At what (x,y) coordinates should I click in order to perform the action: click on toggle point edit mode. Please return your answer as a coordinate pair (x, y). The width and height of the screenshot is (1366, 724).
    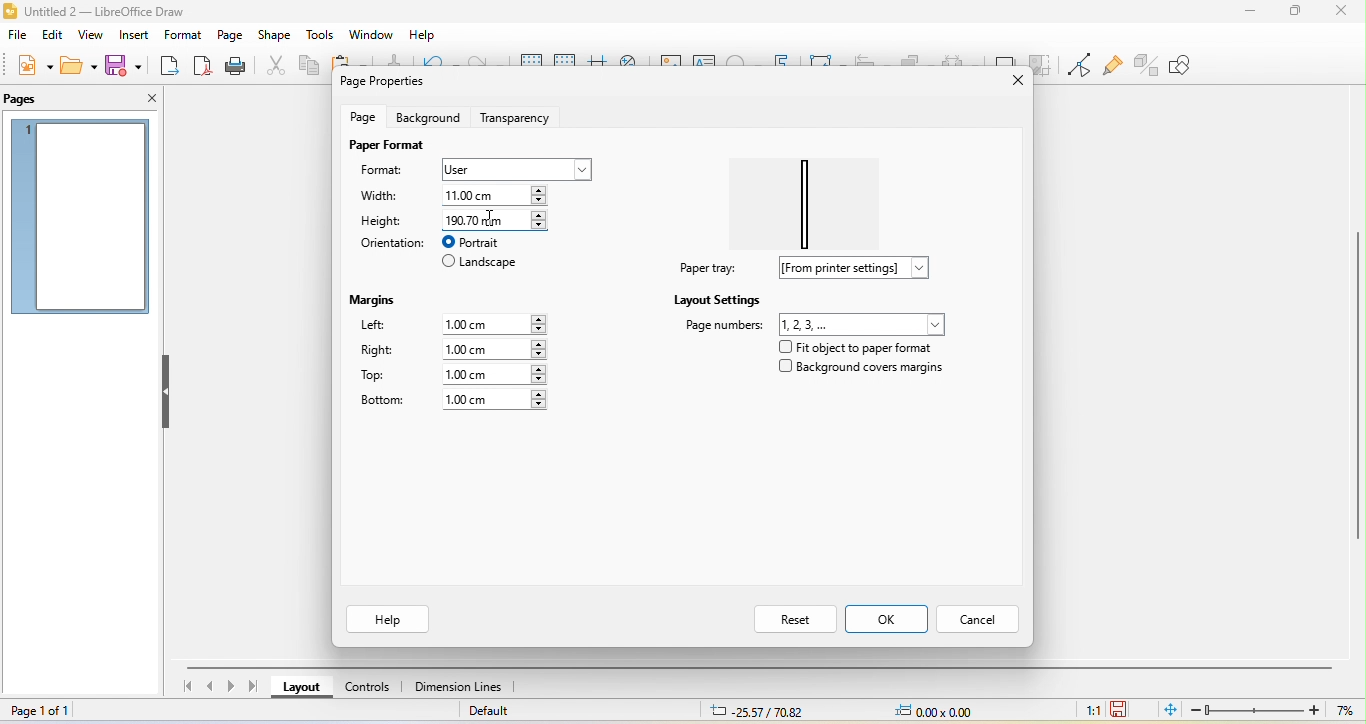
    Looking at the image, I should click on (1078, 65).